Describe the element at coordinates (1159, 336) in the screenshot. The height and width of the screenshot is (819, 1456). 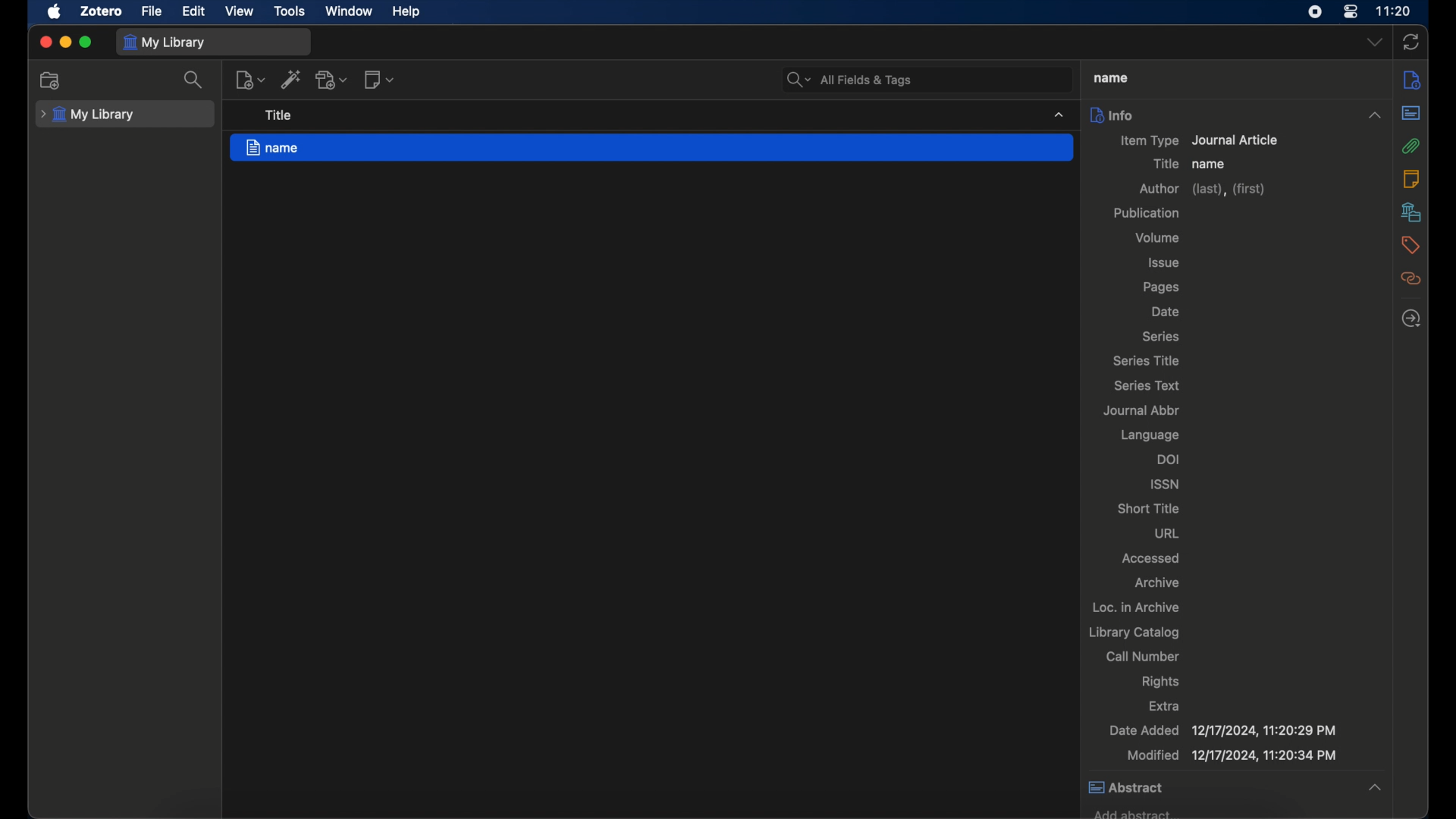
I see `series` at that location.